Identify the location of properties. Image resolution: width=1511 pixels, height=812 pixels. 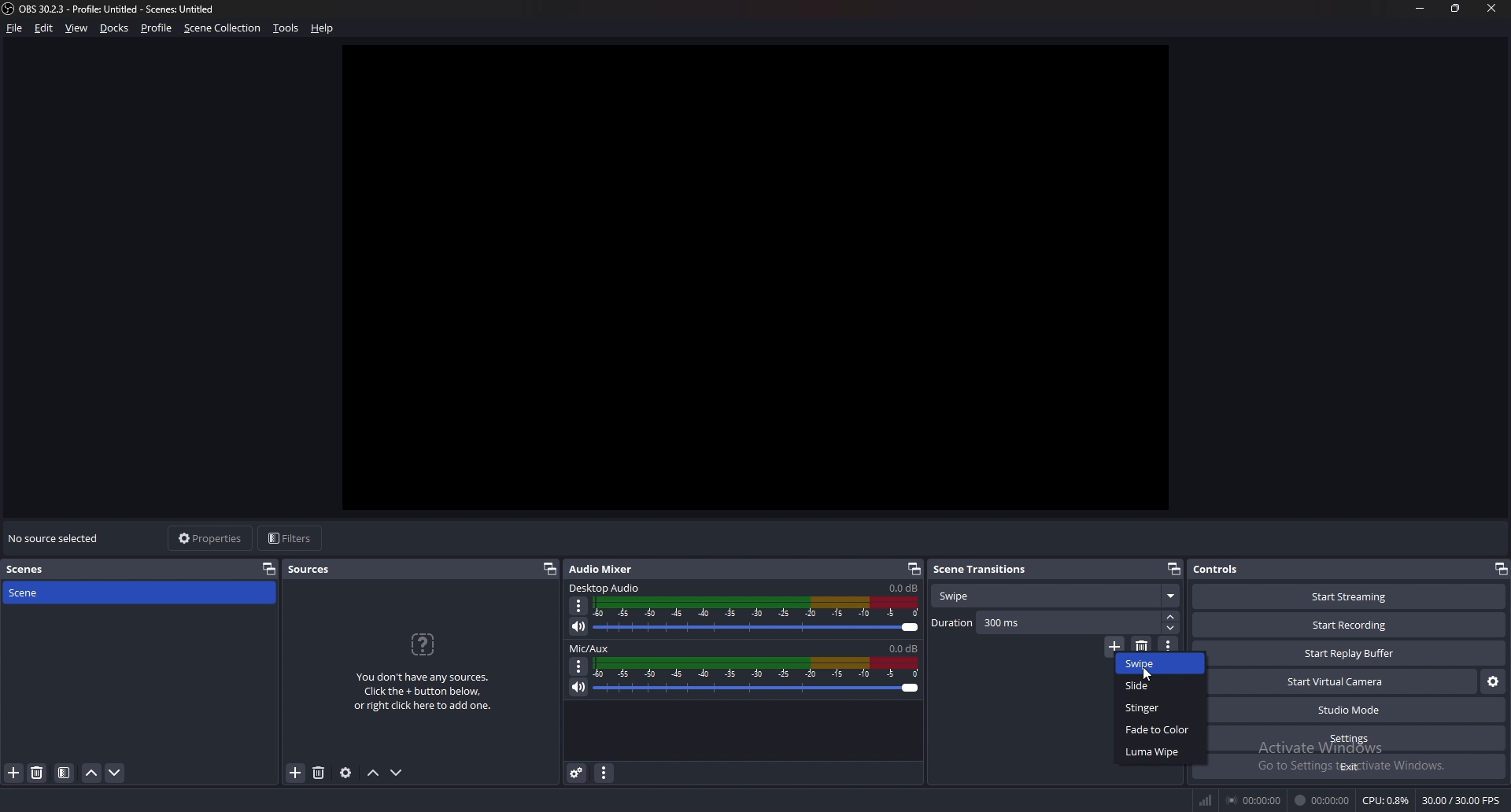
(212, 539).